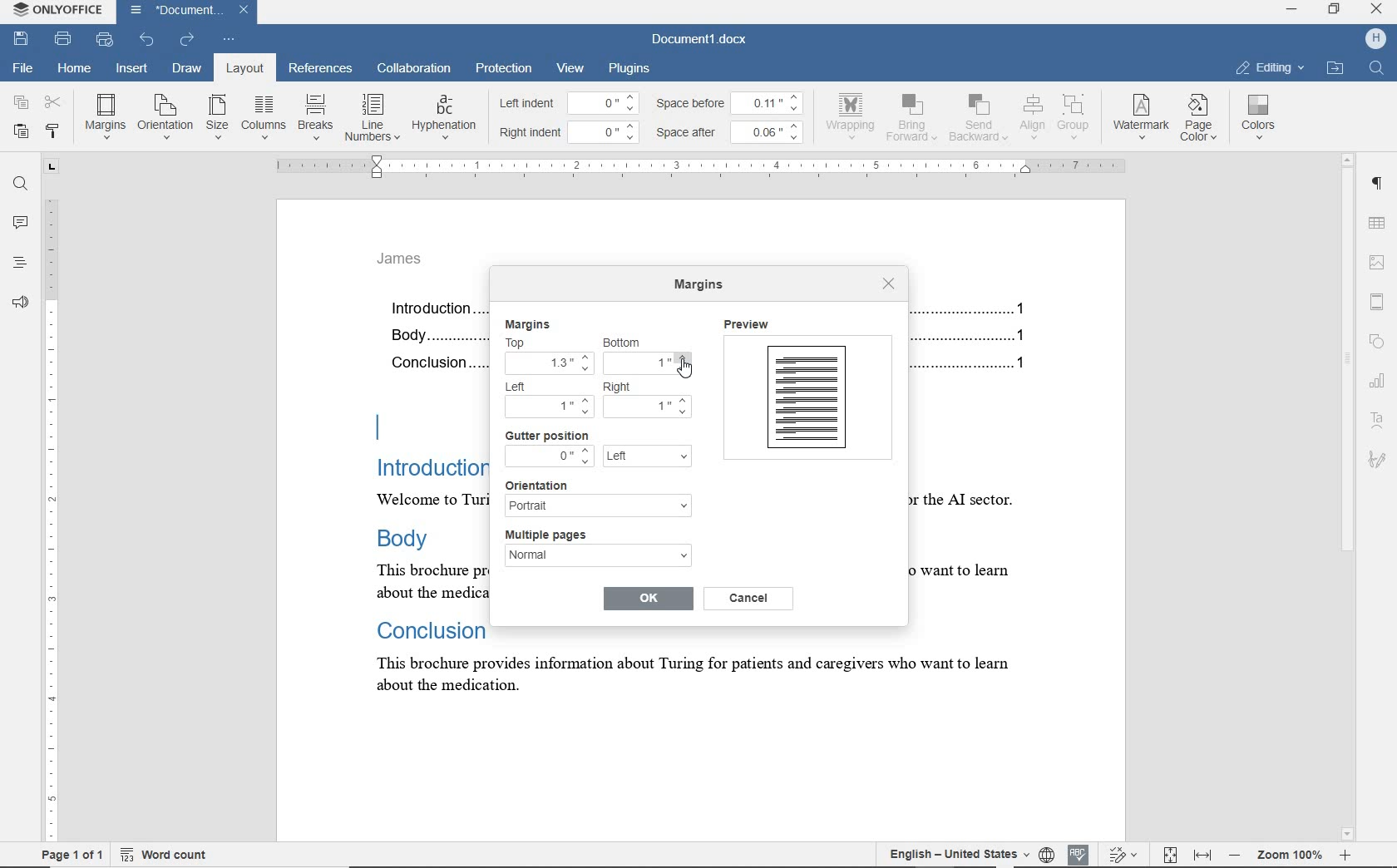 This screenshot has width=1397, height=868. I want to click on right indent, so click(531, 133).